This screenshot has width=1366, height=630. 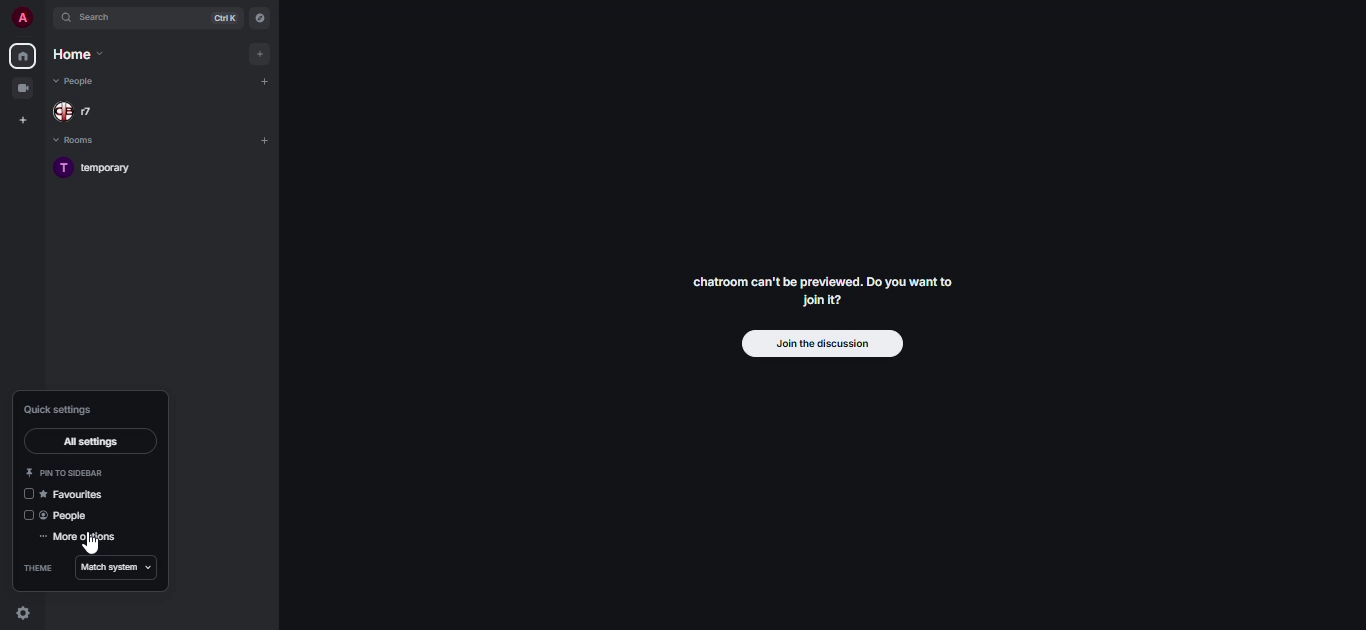 I want to click on profile, so click(x=16, y=18).